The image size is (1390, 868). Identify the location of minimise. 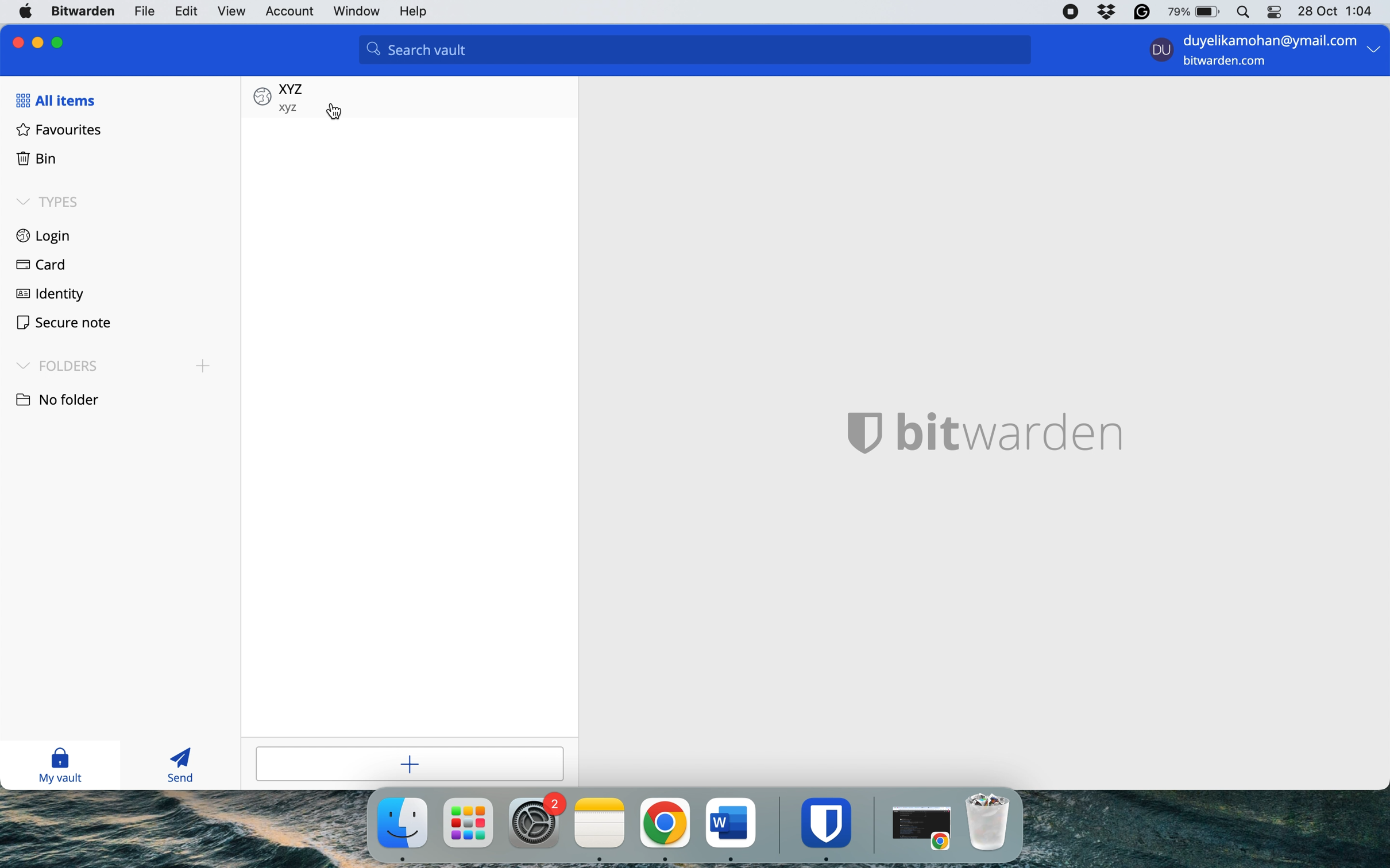
(40, 40).